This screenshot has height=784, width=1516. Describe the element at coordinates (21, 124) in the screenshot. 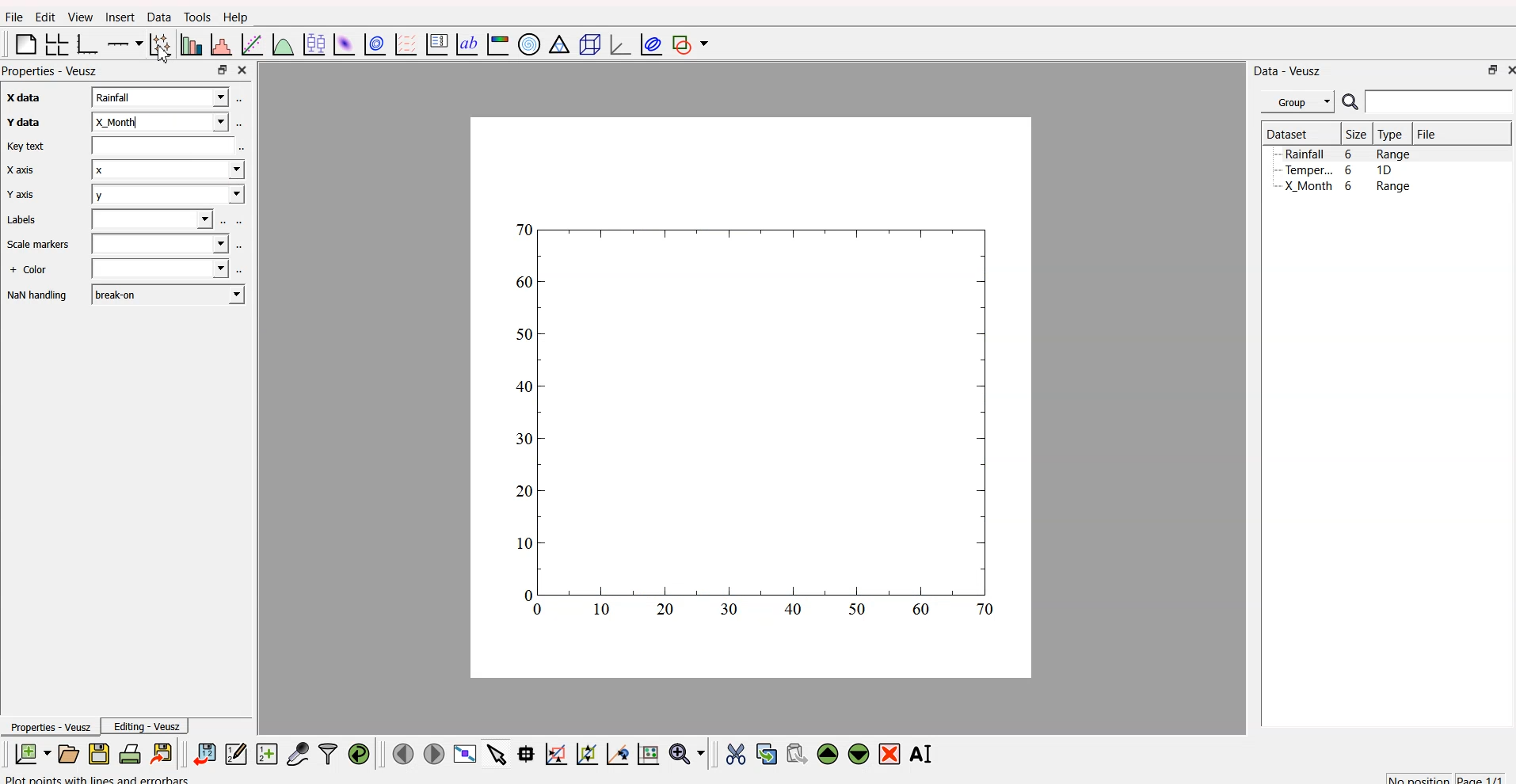

I see `Y data` at that location.